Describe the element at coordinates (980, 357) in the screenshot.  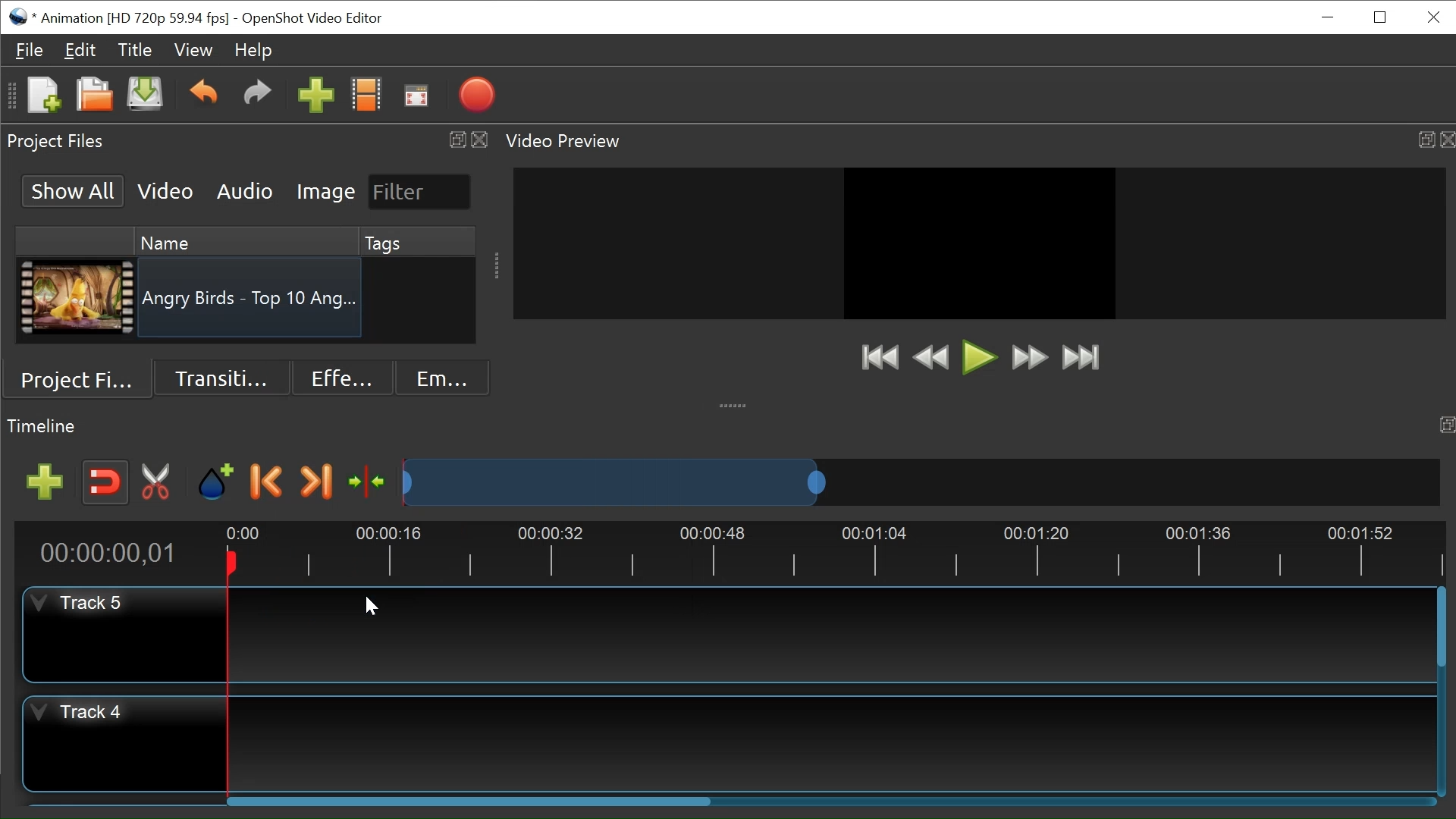
I see `Play` at that location.